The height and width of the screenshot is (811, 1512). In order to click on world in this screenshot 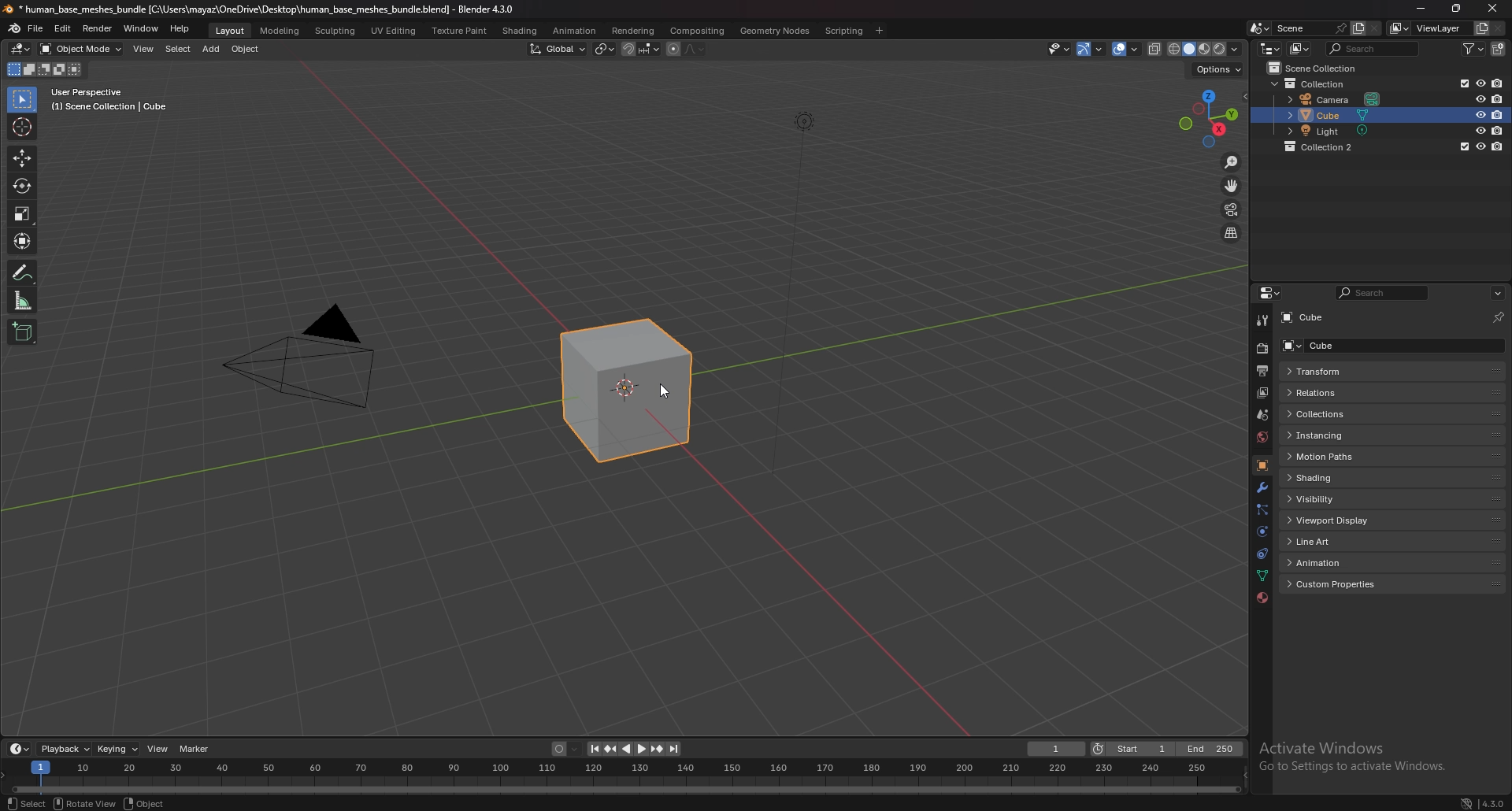, I will do `click(1262, 437)`.